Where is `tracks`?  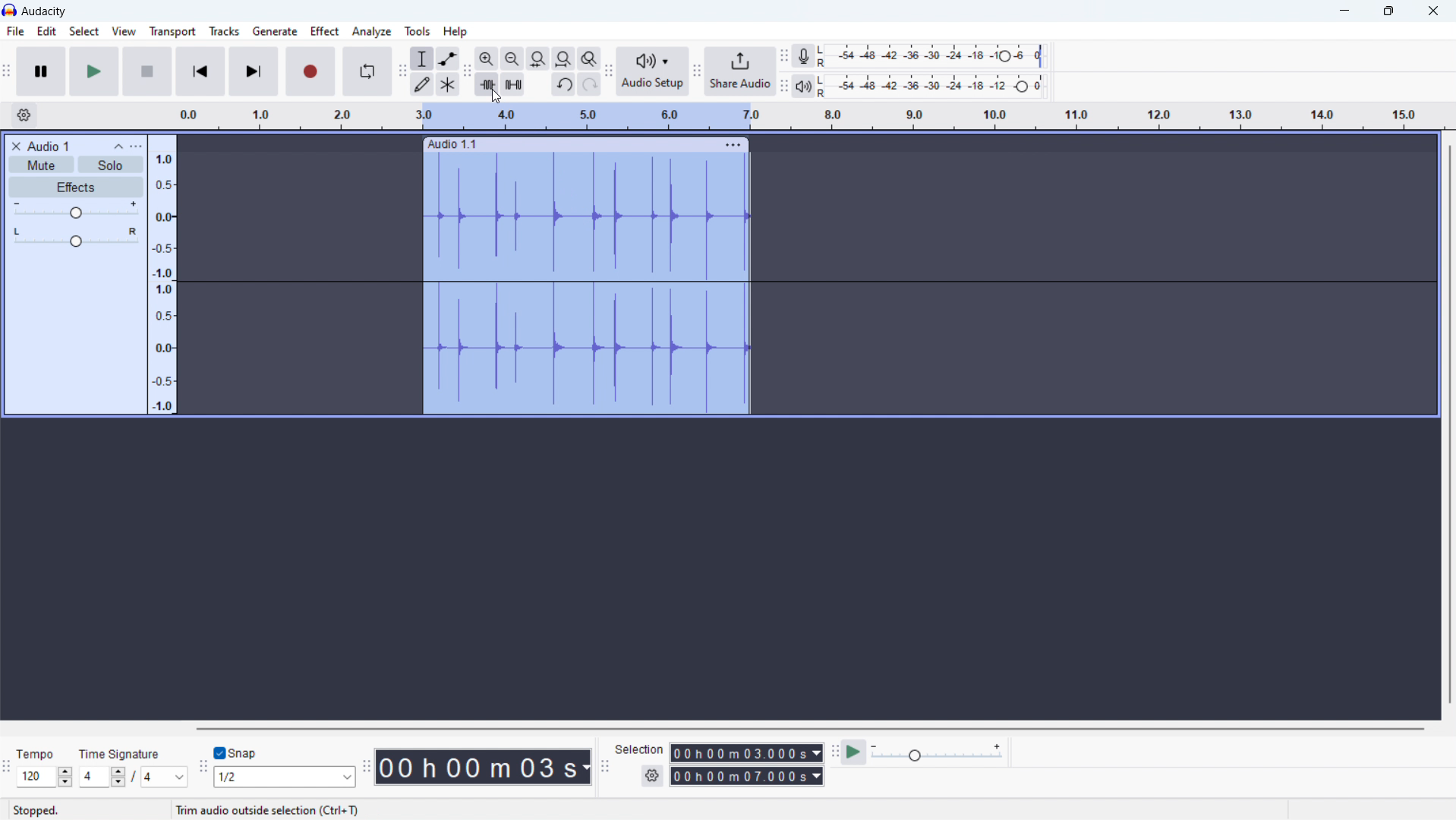
tracks is located at coordinates (224, 31).